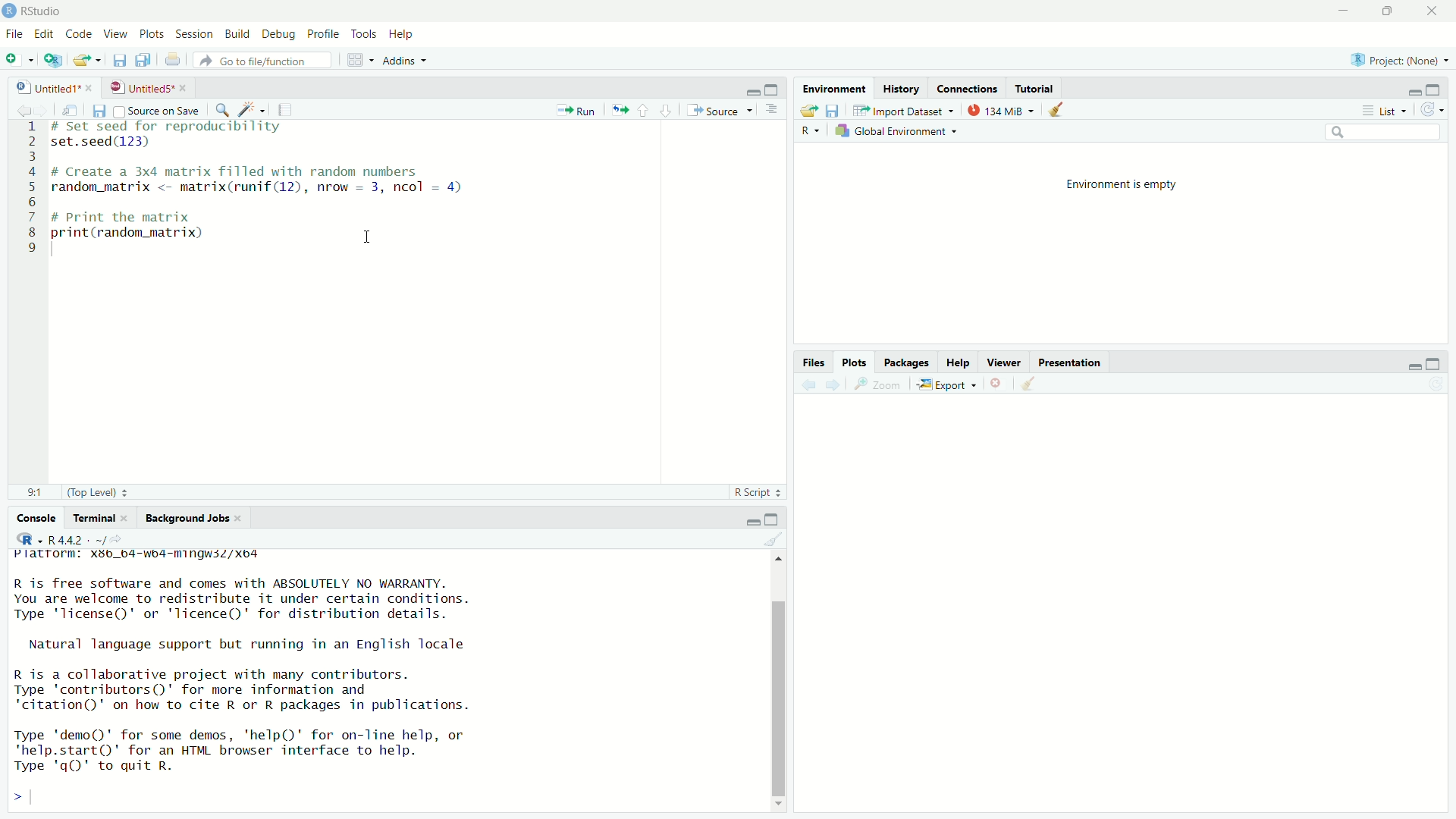  What do you see at coordinates (144, 86) in the screenshot?
I see `UntitledS*` at bounding box center [144, 86].